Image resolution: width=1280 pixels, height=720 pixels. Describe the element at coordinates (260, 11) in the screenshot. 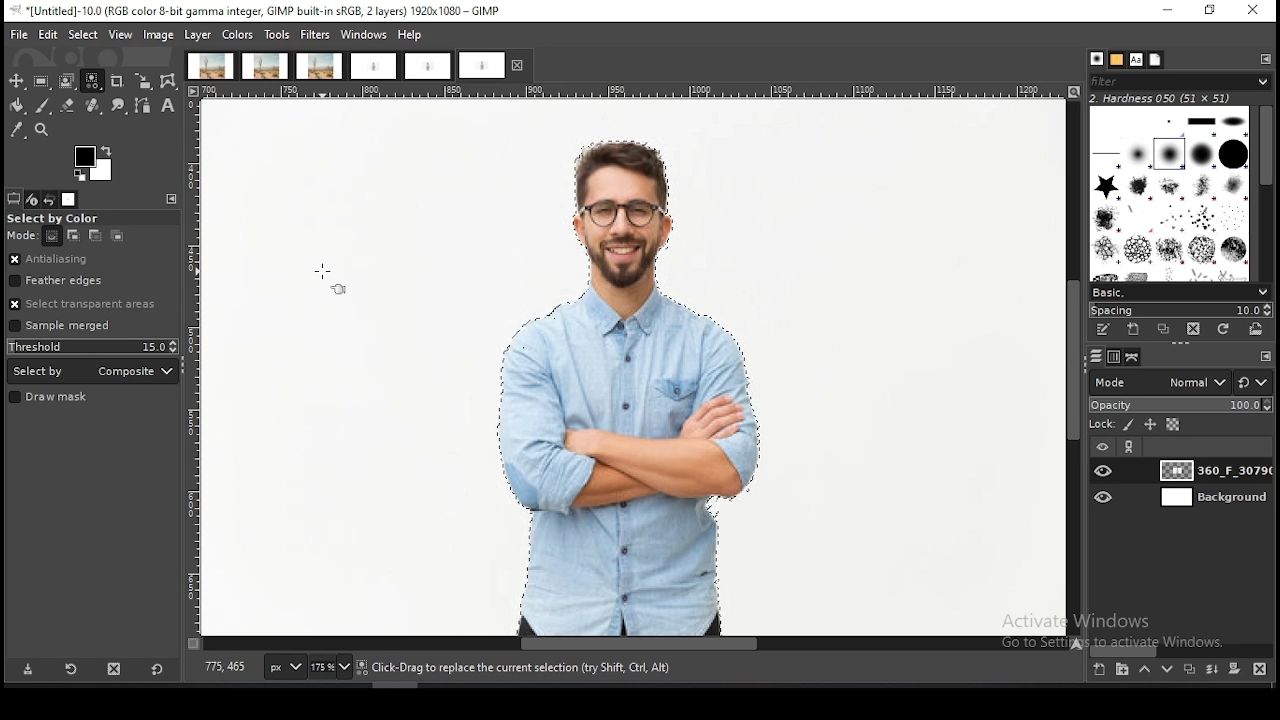

I see `*[Untitled]-10.0 (RGB color 8-bit gamma integer, GIMP built-in sRGB, 2 layers) 1920x1080 — GIMP` at that location.